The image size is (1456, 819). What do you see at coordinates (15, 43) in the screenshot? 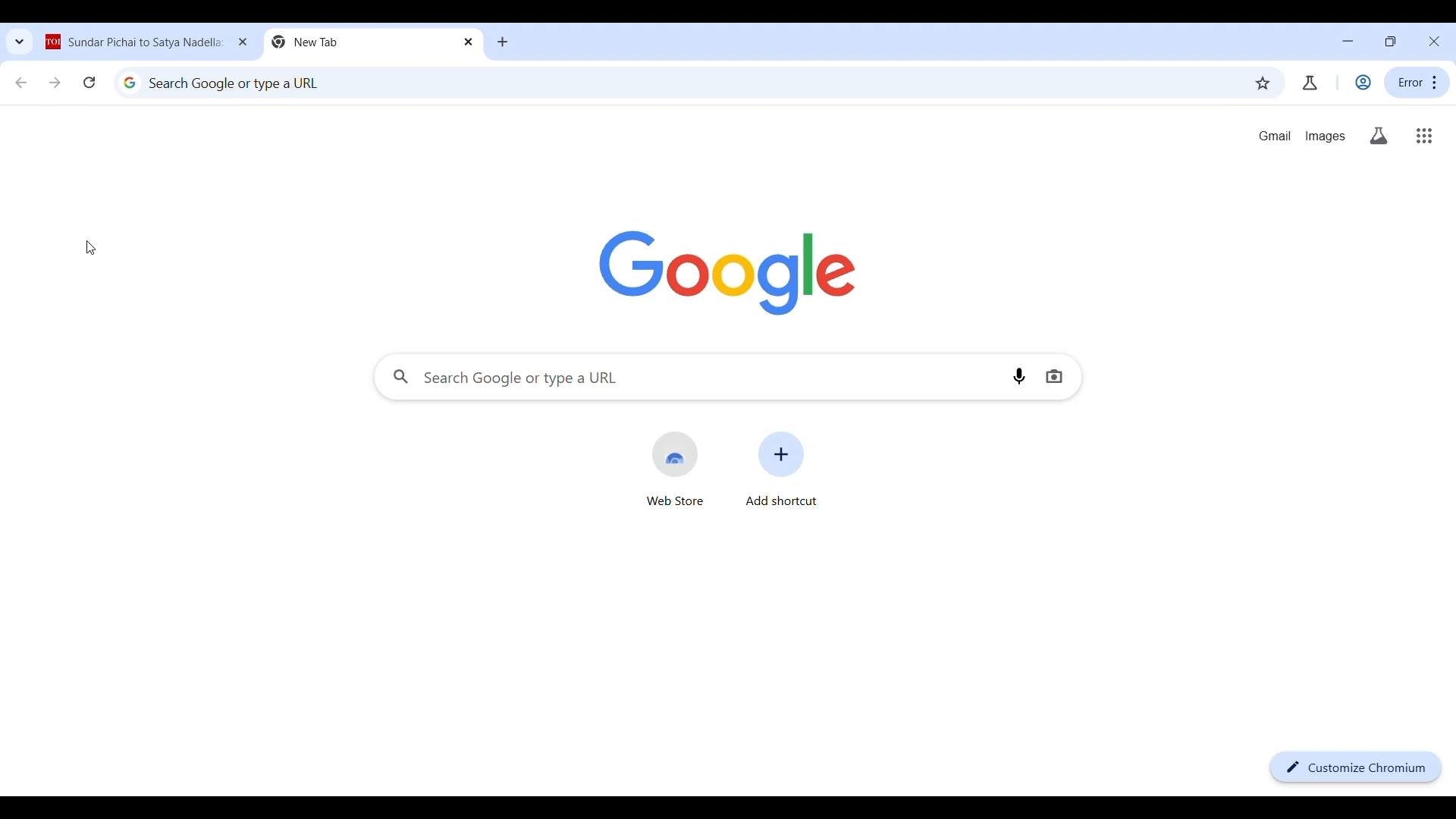
I see `Search tabs` at bounding box center [15, 43].